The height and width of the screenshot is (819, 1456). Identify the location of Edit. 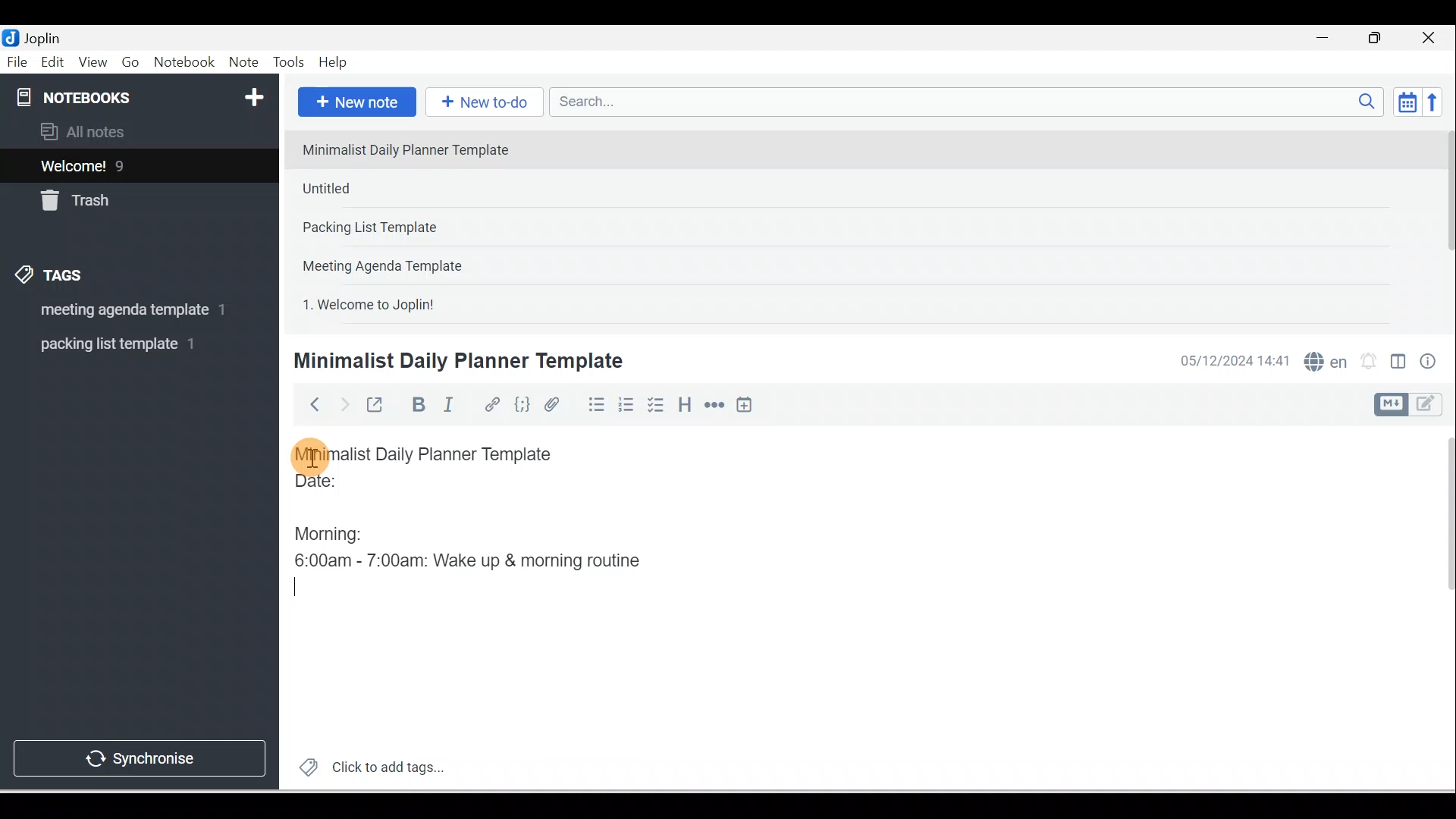
(54, 63).